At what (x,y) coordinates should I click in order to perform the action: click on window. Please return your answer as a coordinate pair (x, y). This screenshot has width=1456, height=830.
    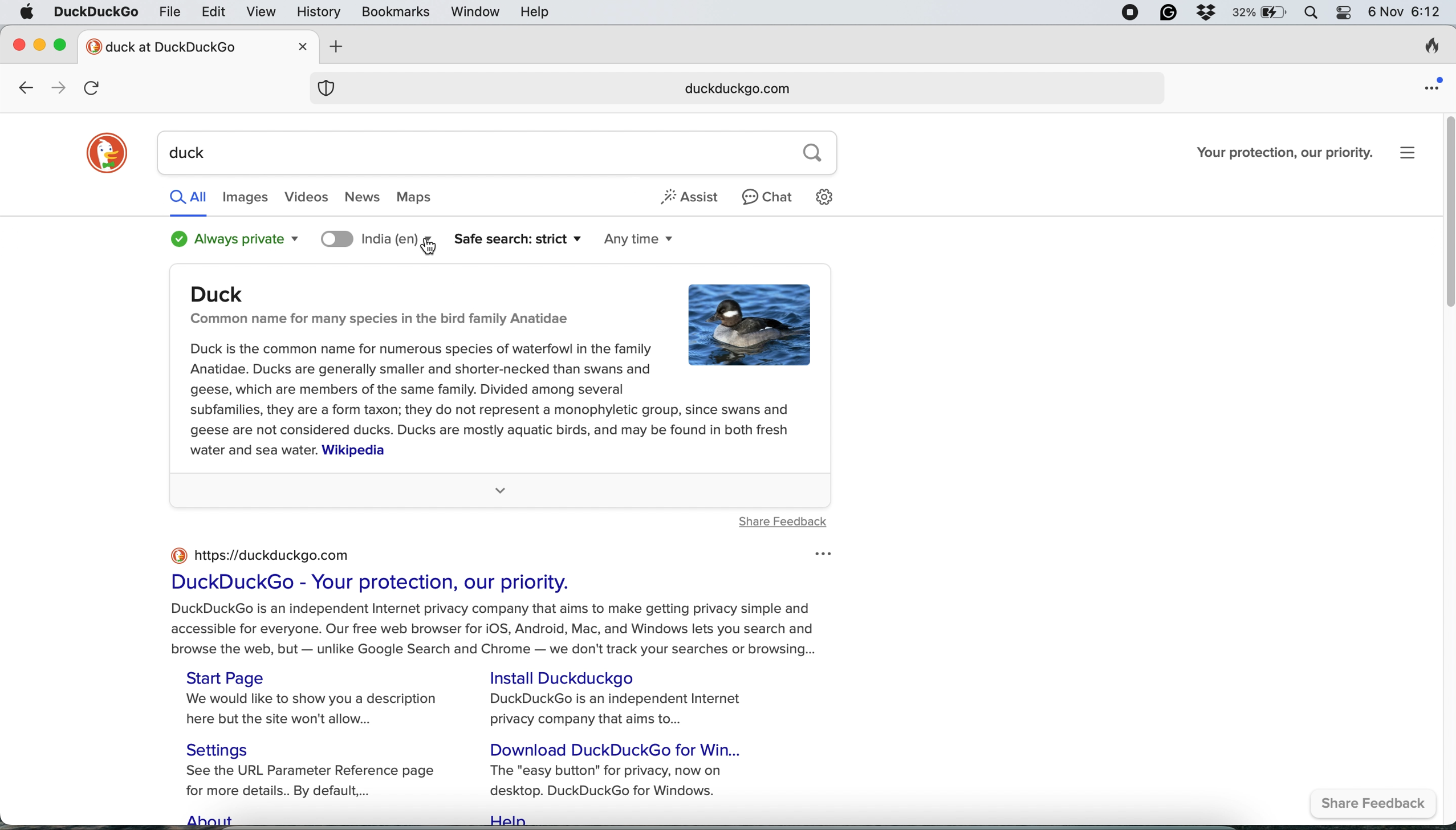
    Looking at the image, I should click on (477, 13).